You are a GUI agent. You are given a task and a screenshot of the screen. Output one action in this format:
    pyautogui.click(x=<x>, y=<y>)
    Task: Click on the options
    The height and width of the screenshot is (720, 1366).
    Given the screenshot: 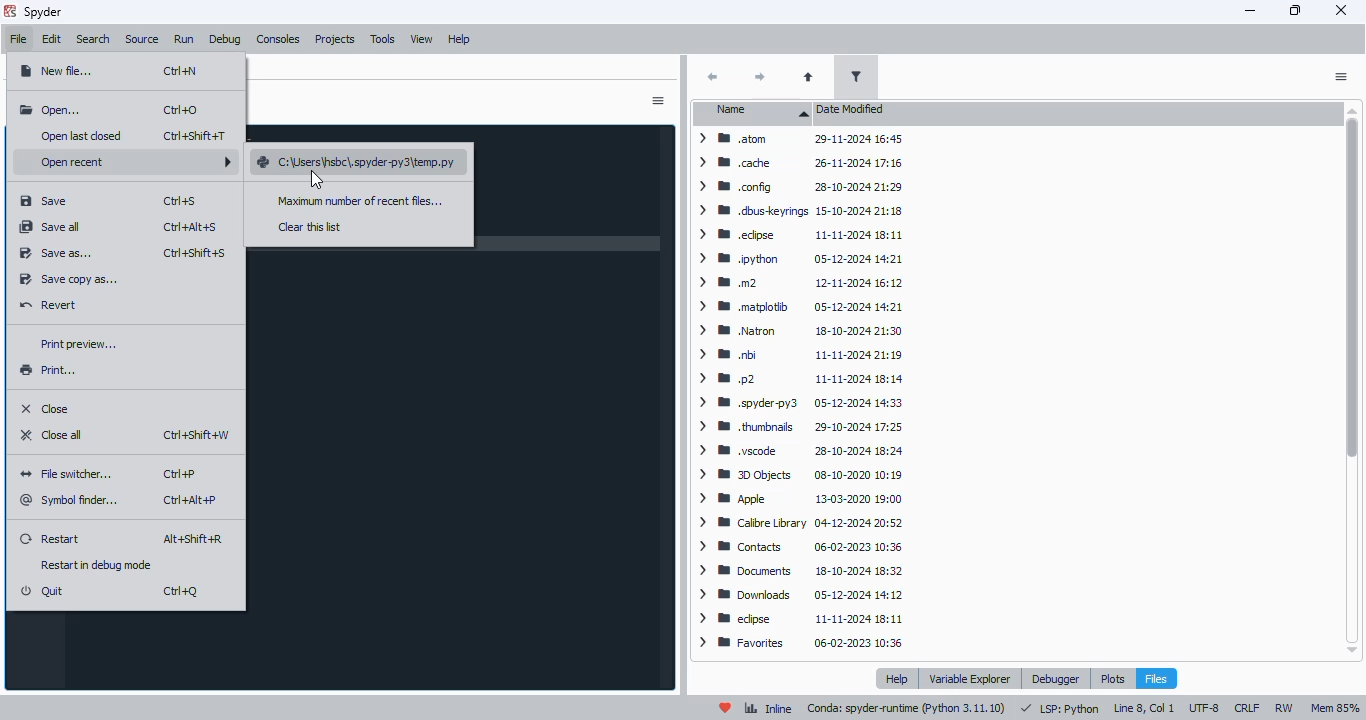 What is the action you would take?
    pyautogui.click(x=657, y=101)
    